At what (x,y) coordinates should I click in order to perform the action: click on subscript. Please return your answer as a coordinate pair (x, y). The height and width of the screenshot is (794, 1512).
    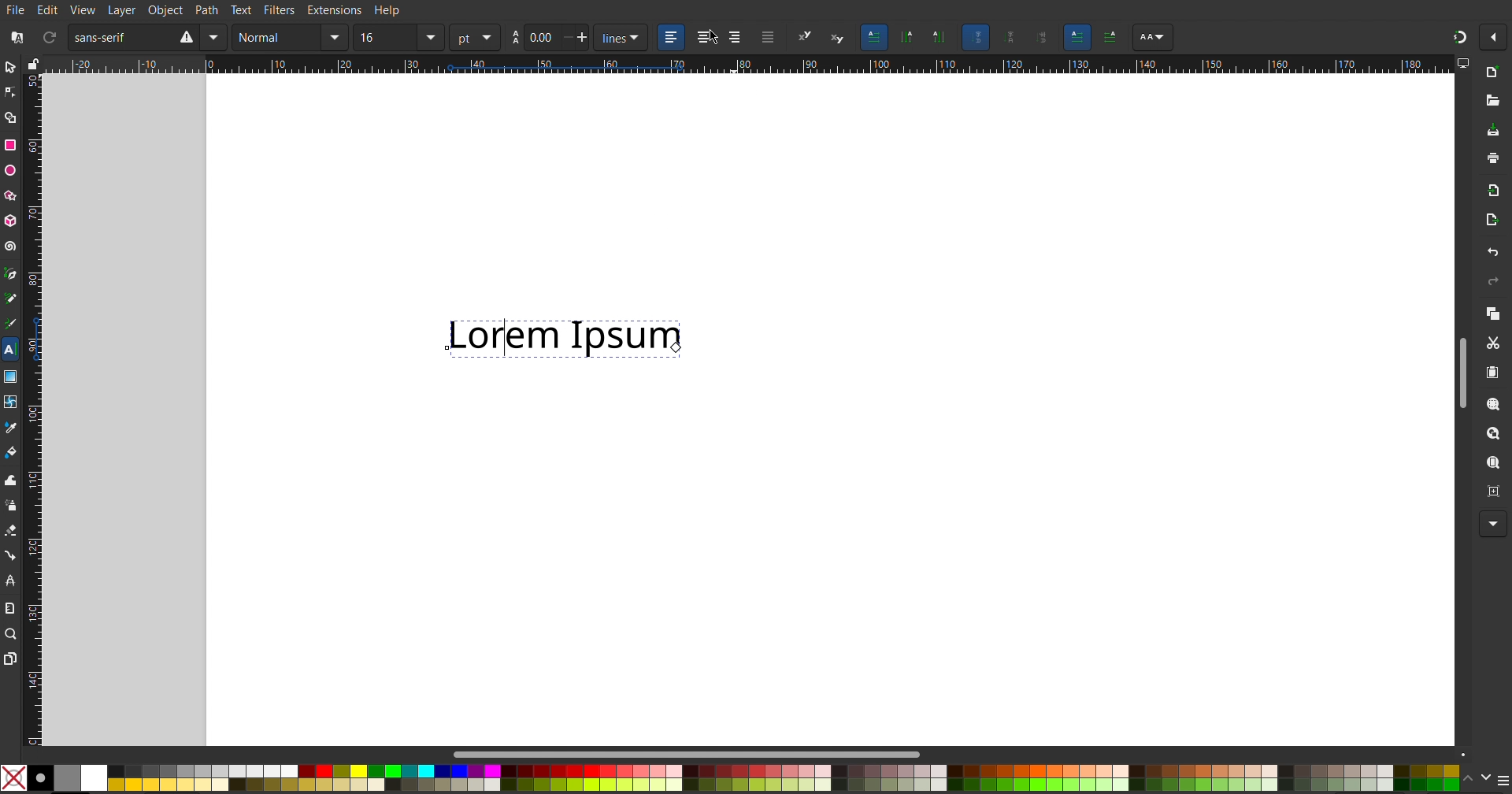
    Looking at the image, I should click on (839, 38).